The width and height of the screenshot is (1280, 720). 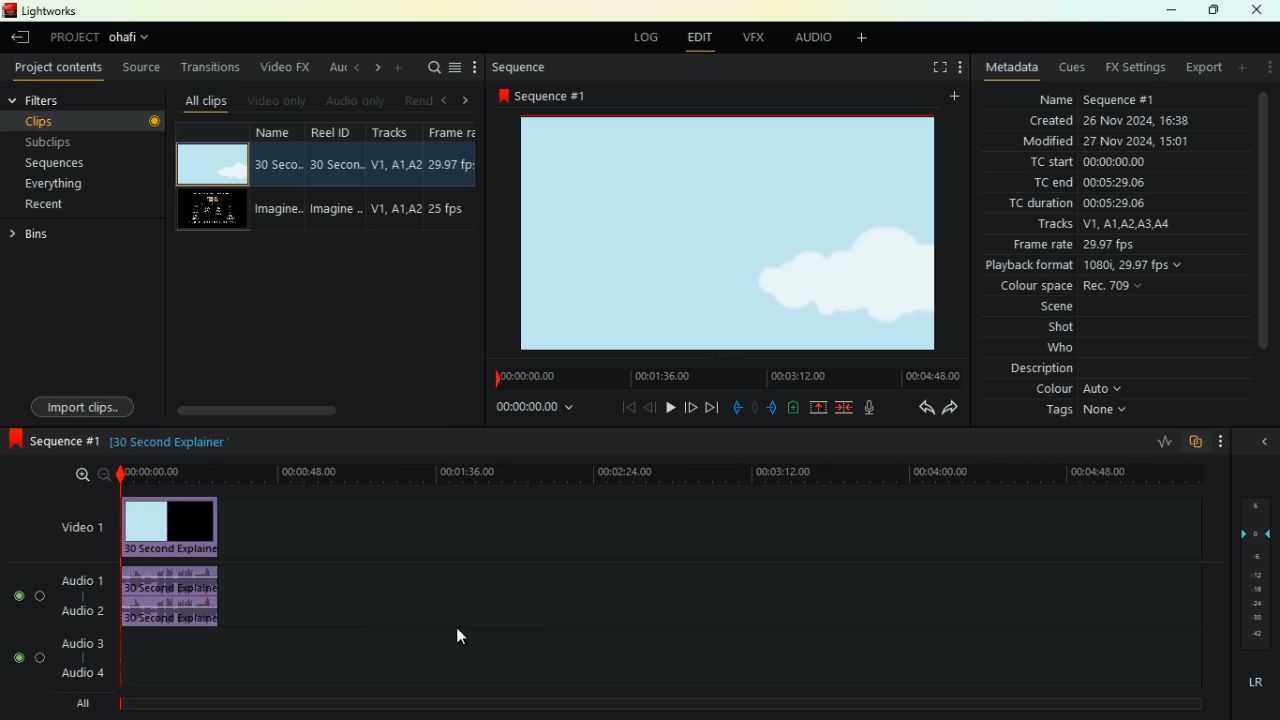 I want to click on left, so click(x=447, y=100).